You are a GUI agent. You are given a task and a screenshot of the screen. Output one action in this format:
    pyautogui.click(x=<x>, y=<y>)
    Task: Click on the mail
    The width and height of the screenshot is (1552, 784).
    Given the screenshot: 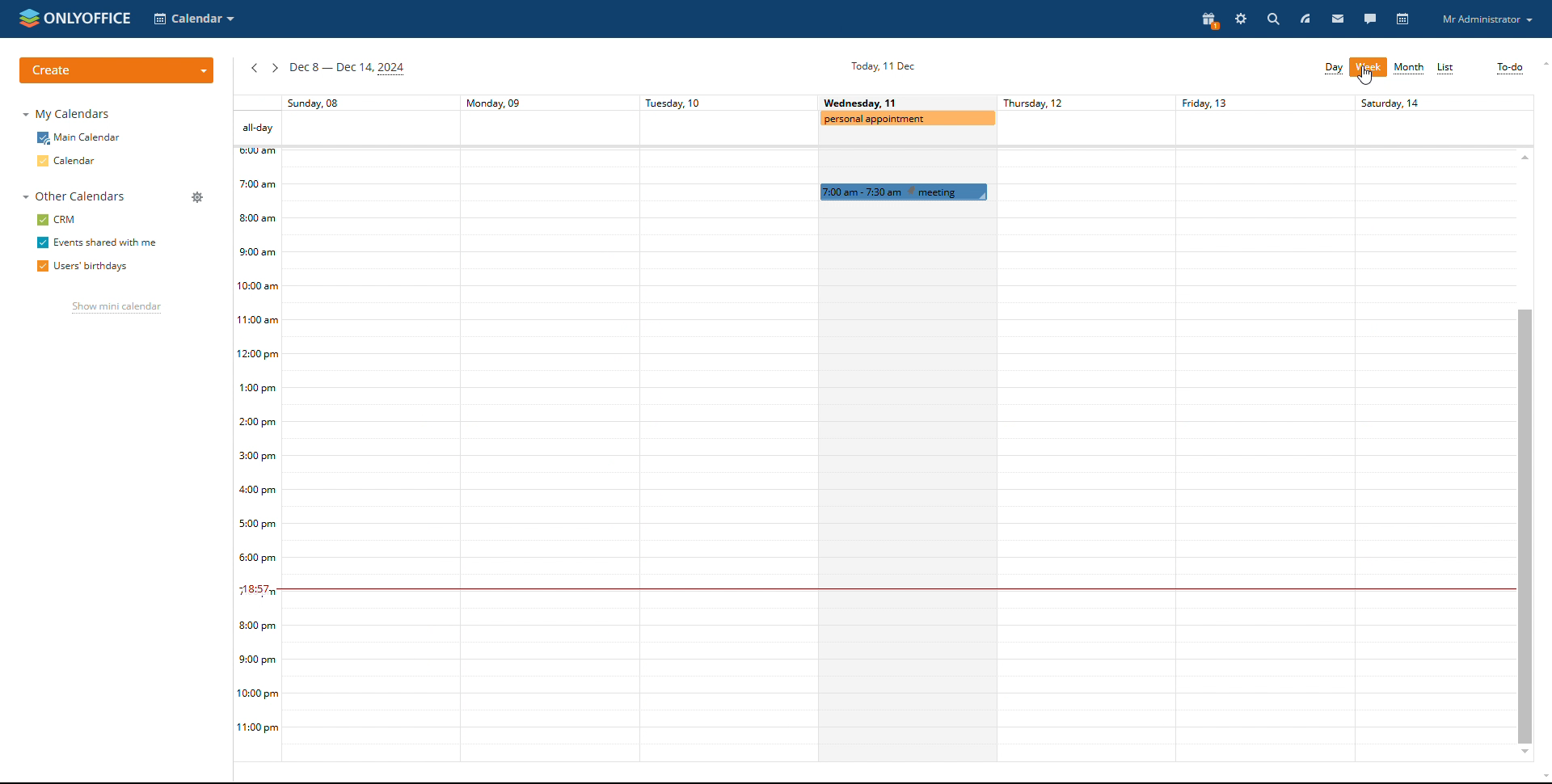 What is the action you would take?
    pyautogui.click(x=1337, y=18)
    